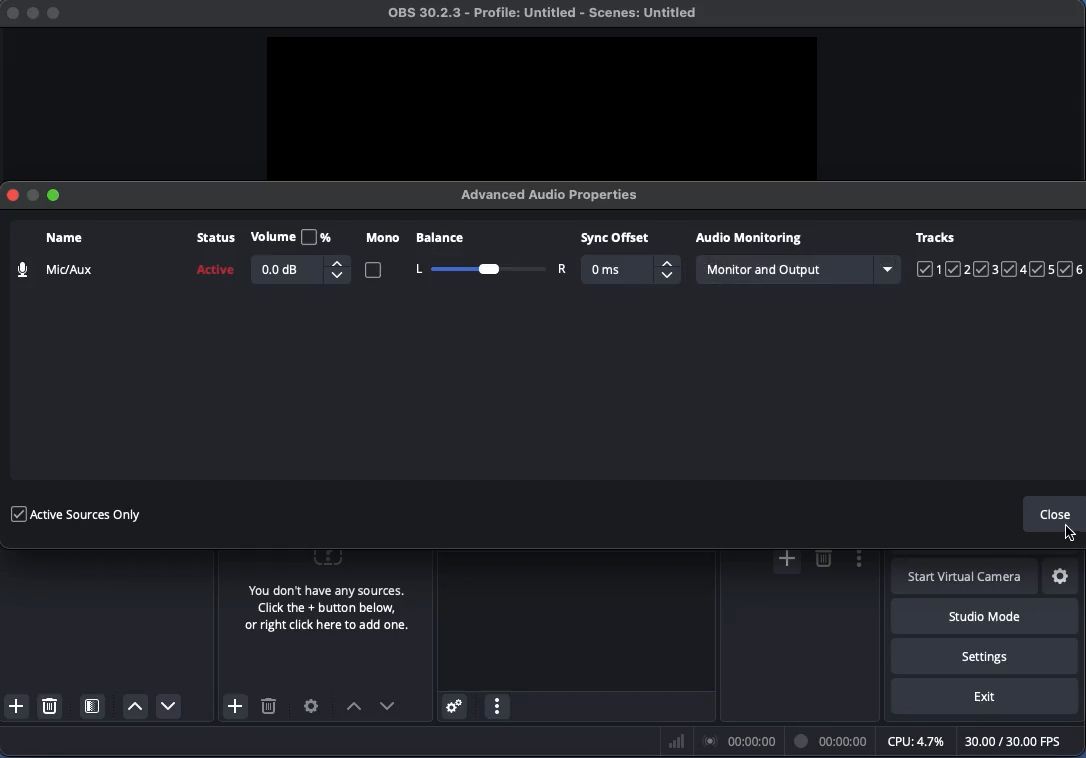 The height and width of the screenshot is (758, 1086). Describe the element at coordinates (323, 595) in the screenshot. I see `No source selected` at that location.